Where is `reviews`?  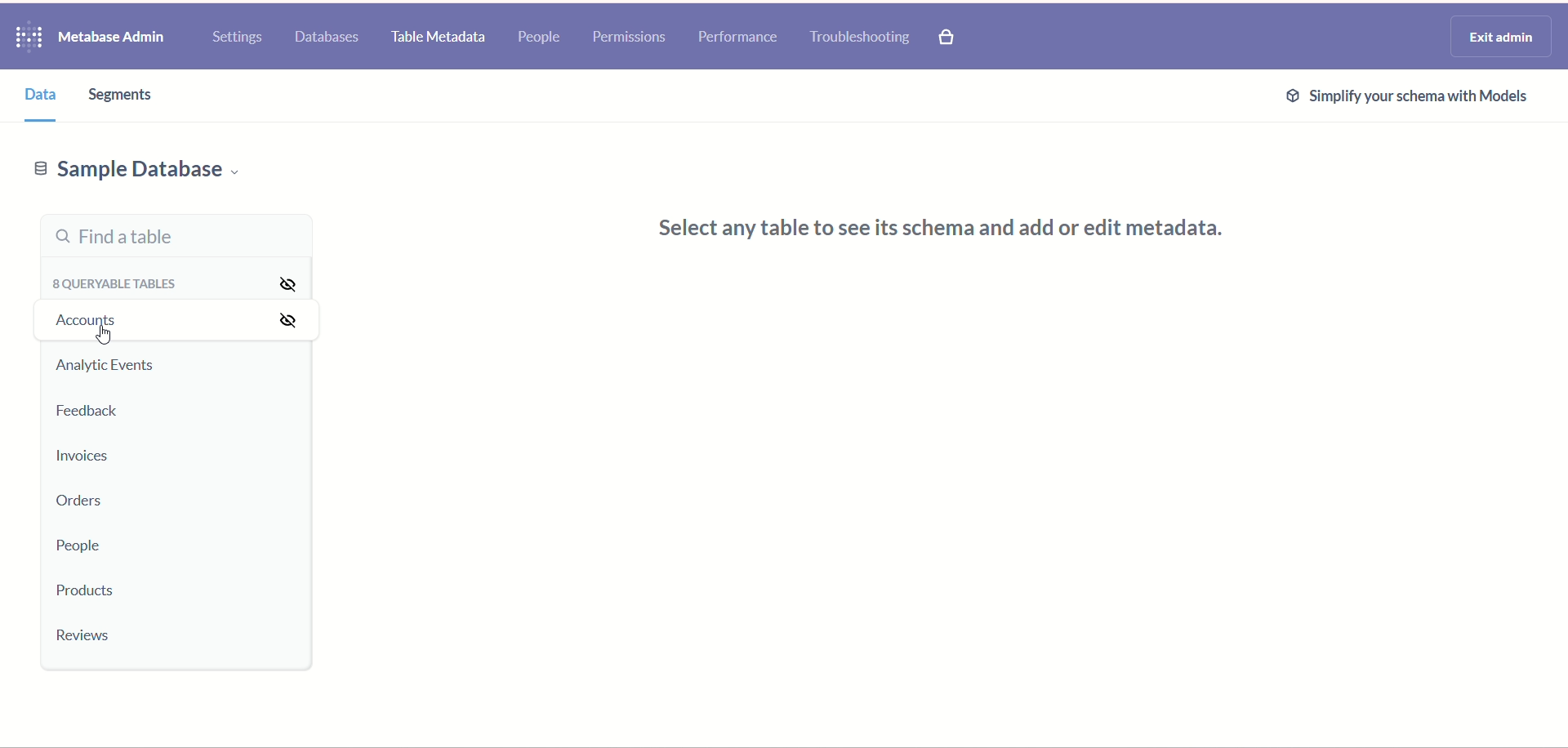
reviews is located at coordinates (82, 636).